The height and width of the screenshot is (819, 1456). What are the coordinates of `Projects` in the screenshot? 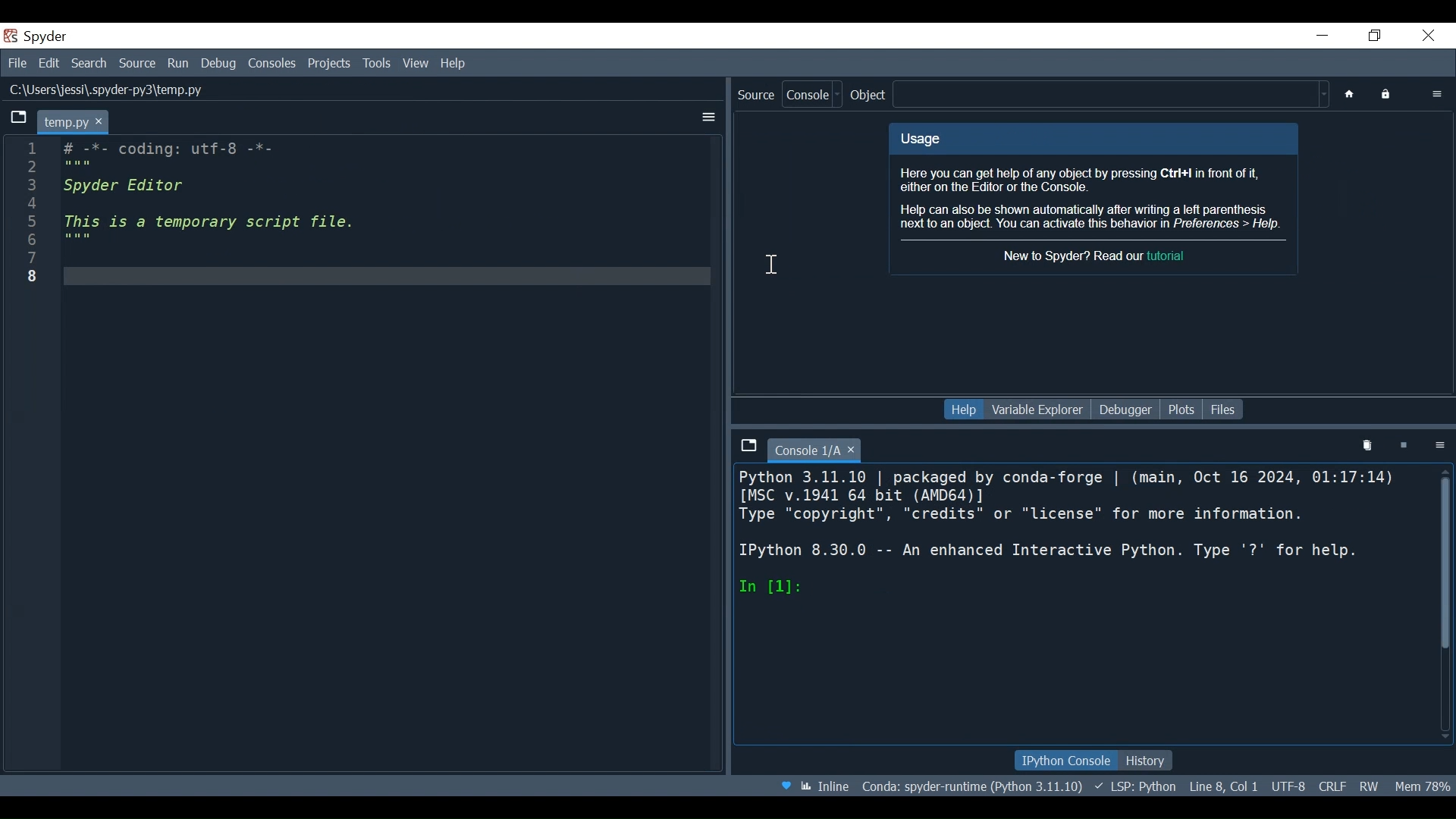 It's located at (330, 64).